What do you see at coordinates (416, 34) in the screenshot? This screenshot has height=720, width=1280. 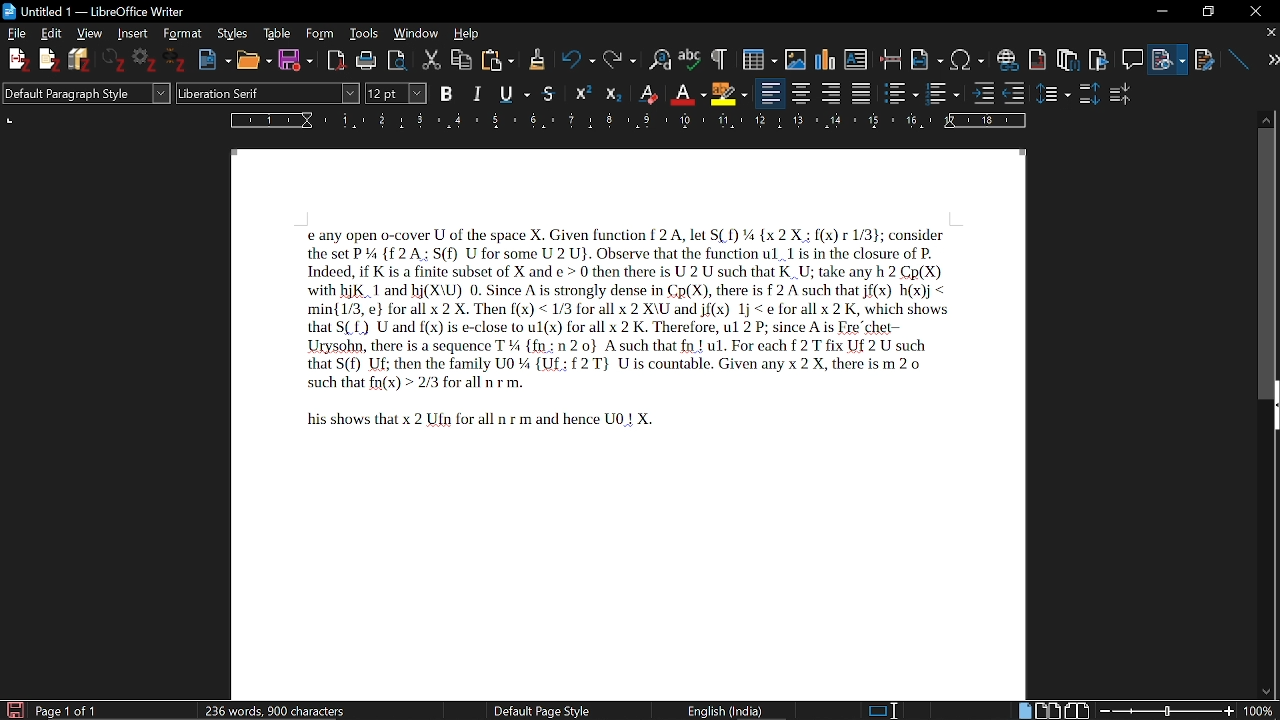 I see `Window` at bounding box center [416, 34].